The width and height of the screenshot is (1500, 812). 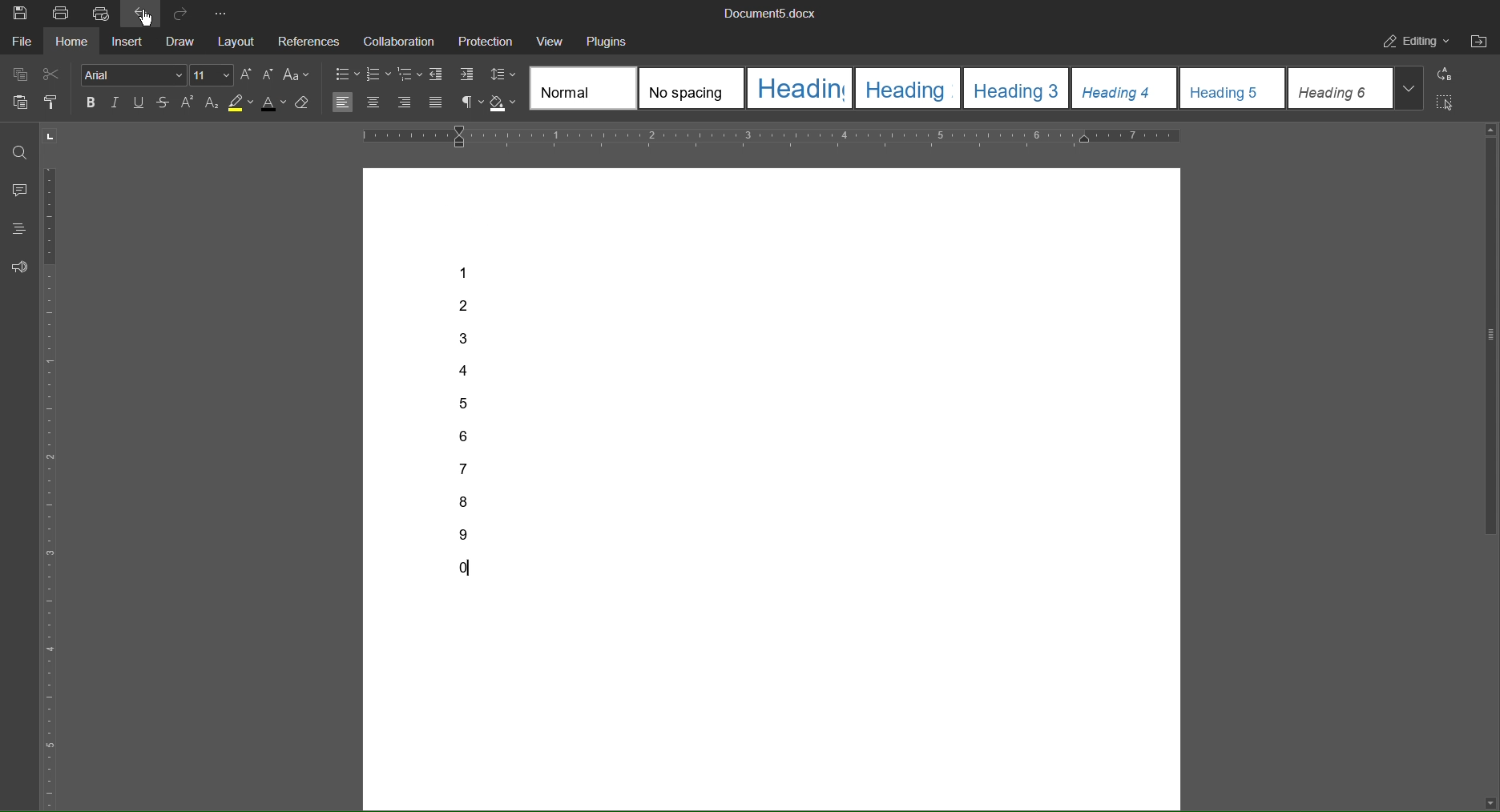 I want to click on More templates, so click(x=1409, y=87).